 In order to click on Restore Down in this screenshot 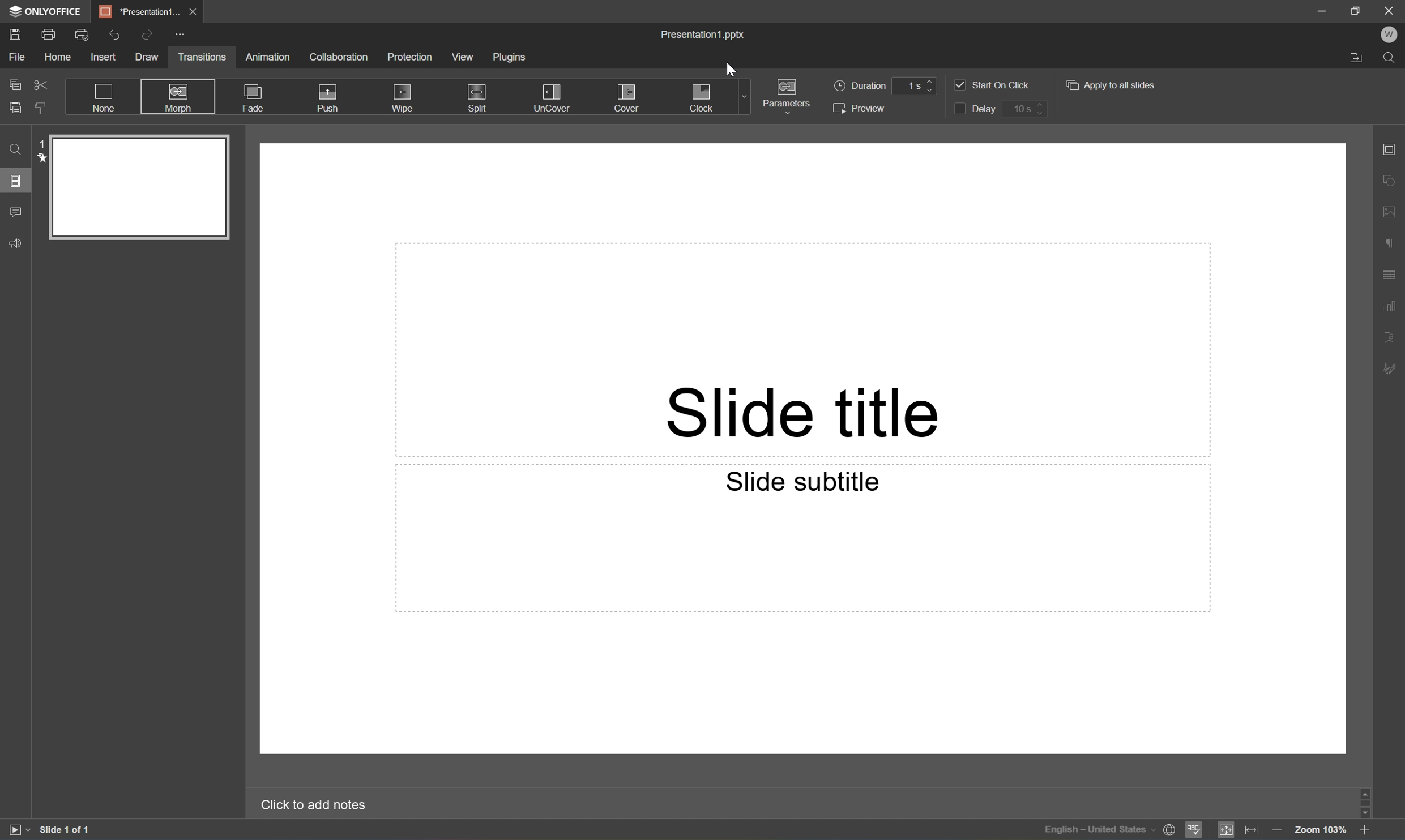, I will do `click(1359, 12)`.